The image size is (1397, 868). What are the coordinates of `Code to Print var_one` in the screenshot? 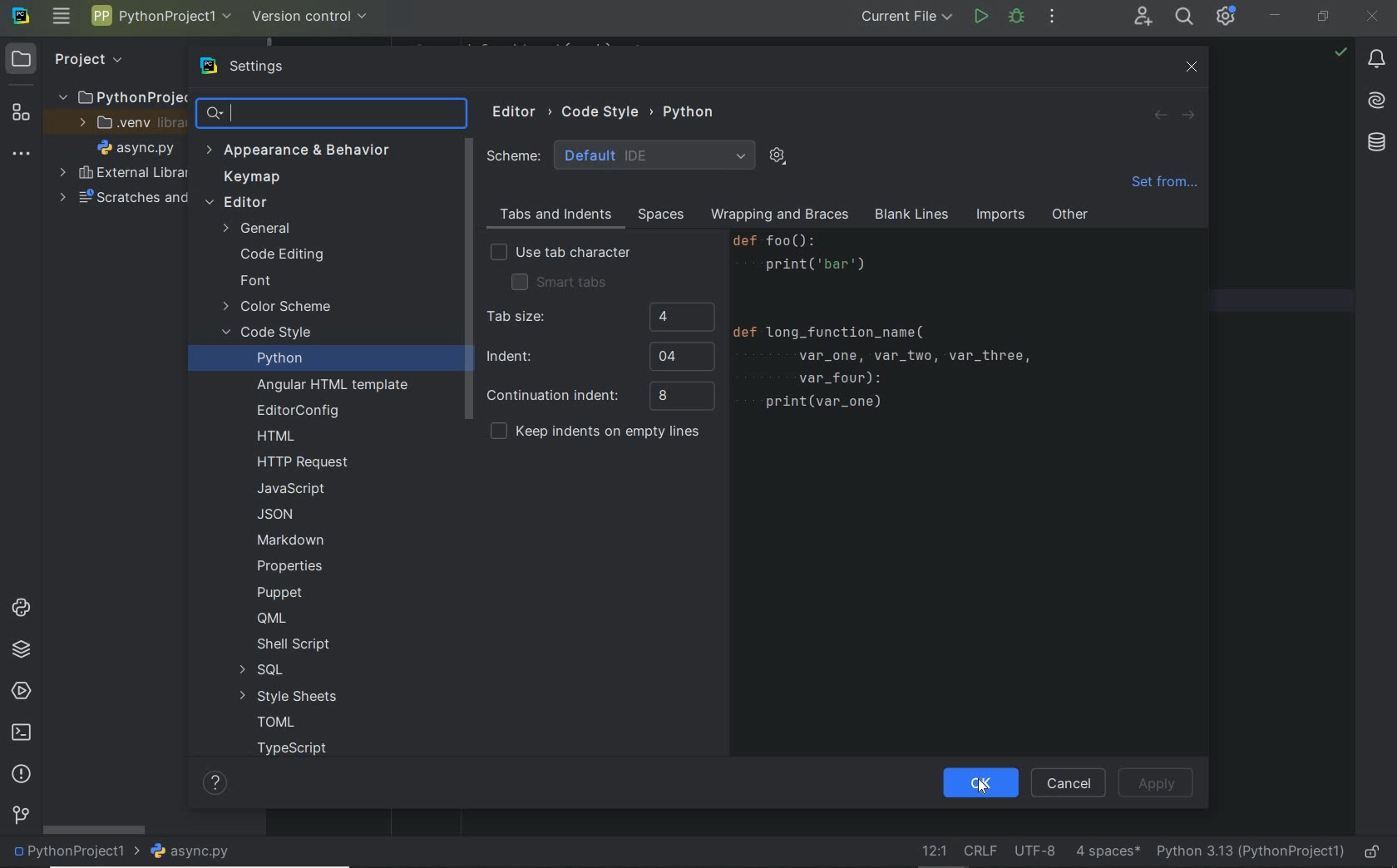 It's located at (898, 329).